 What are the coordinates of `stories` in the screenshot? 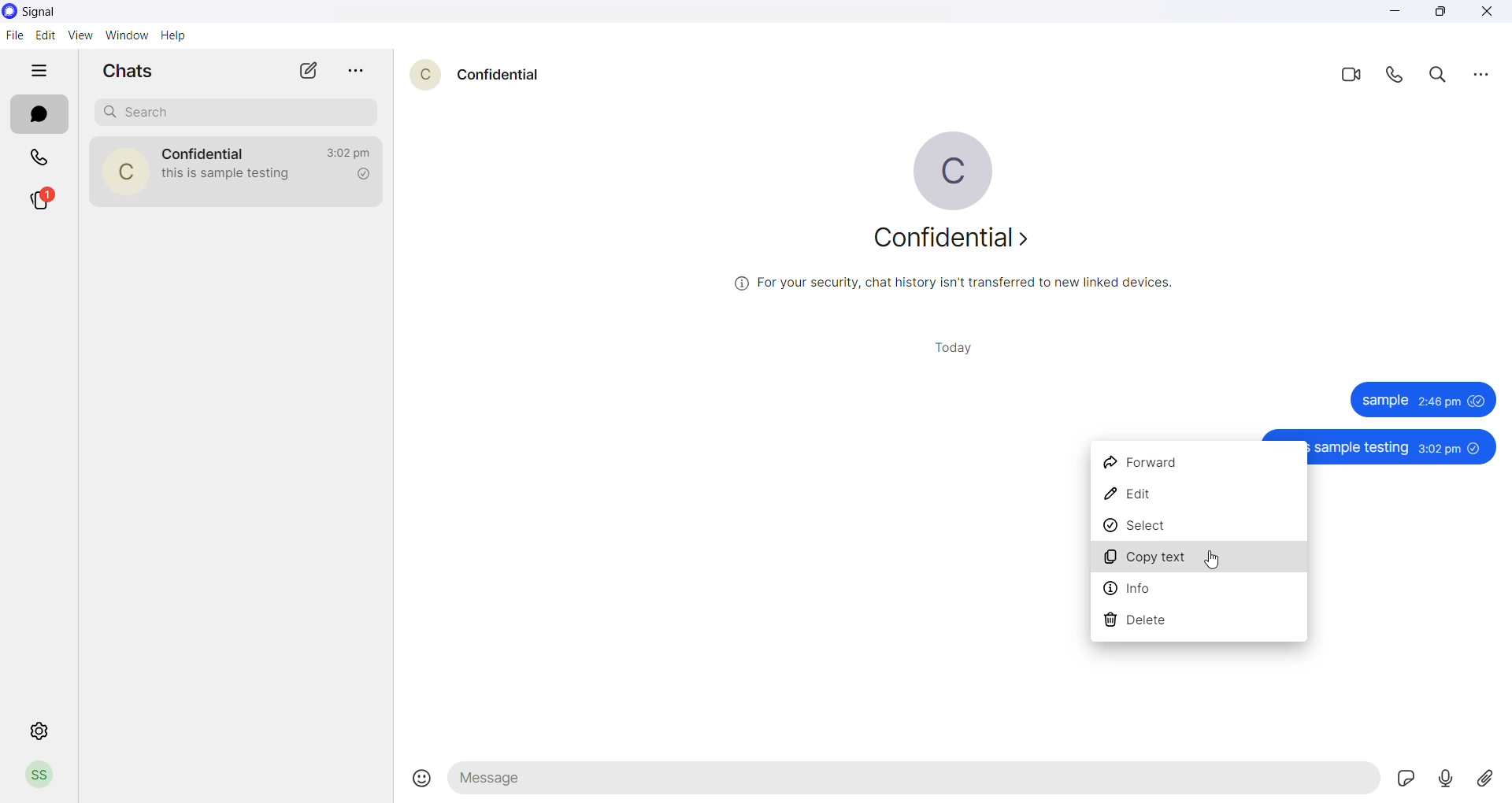 It's located at (46, 201).